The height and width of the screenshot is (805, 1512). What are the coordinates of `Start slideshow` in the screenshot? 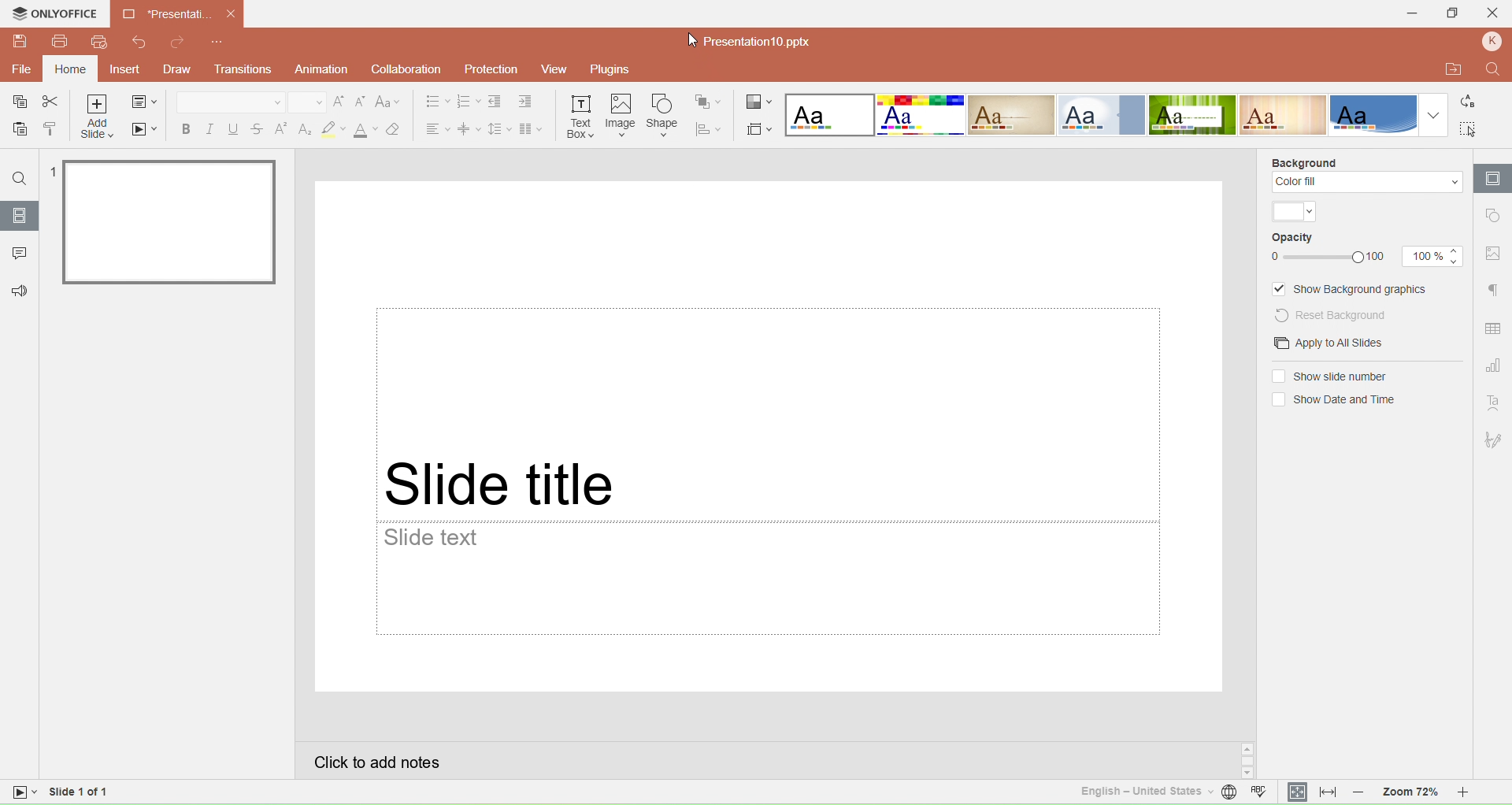 It's located at (146, 132).